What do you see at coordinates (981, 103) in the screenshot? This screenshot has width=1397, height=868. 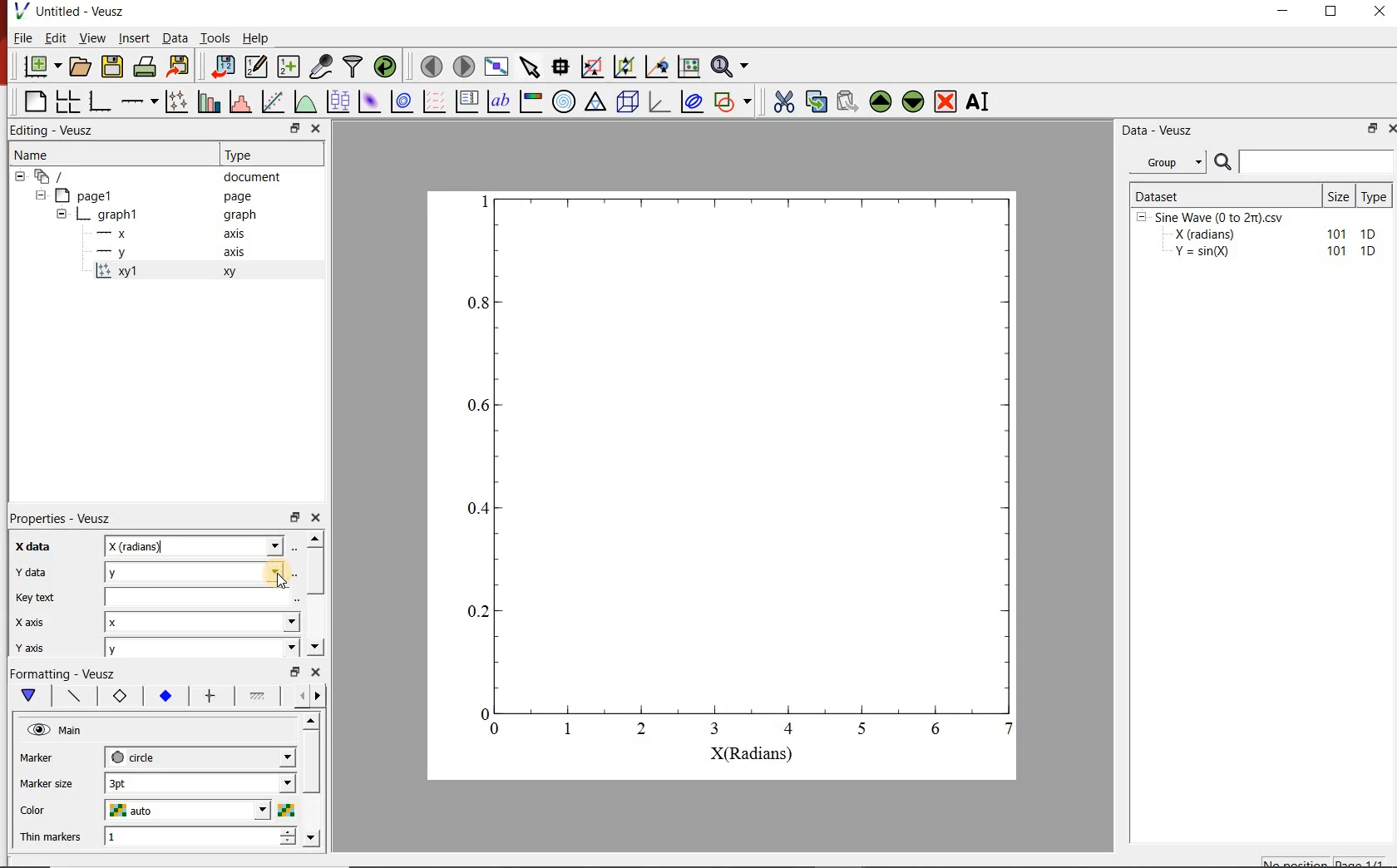 I see `rename` at bounding box center [981, 103].